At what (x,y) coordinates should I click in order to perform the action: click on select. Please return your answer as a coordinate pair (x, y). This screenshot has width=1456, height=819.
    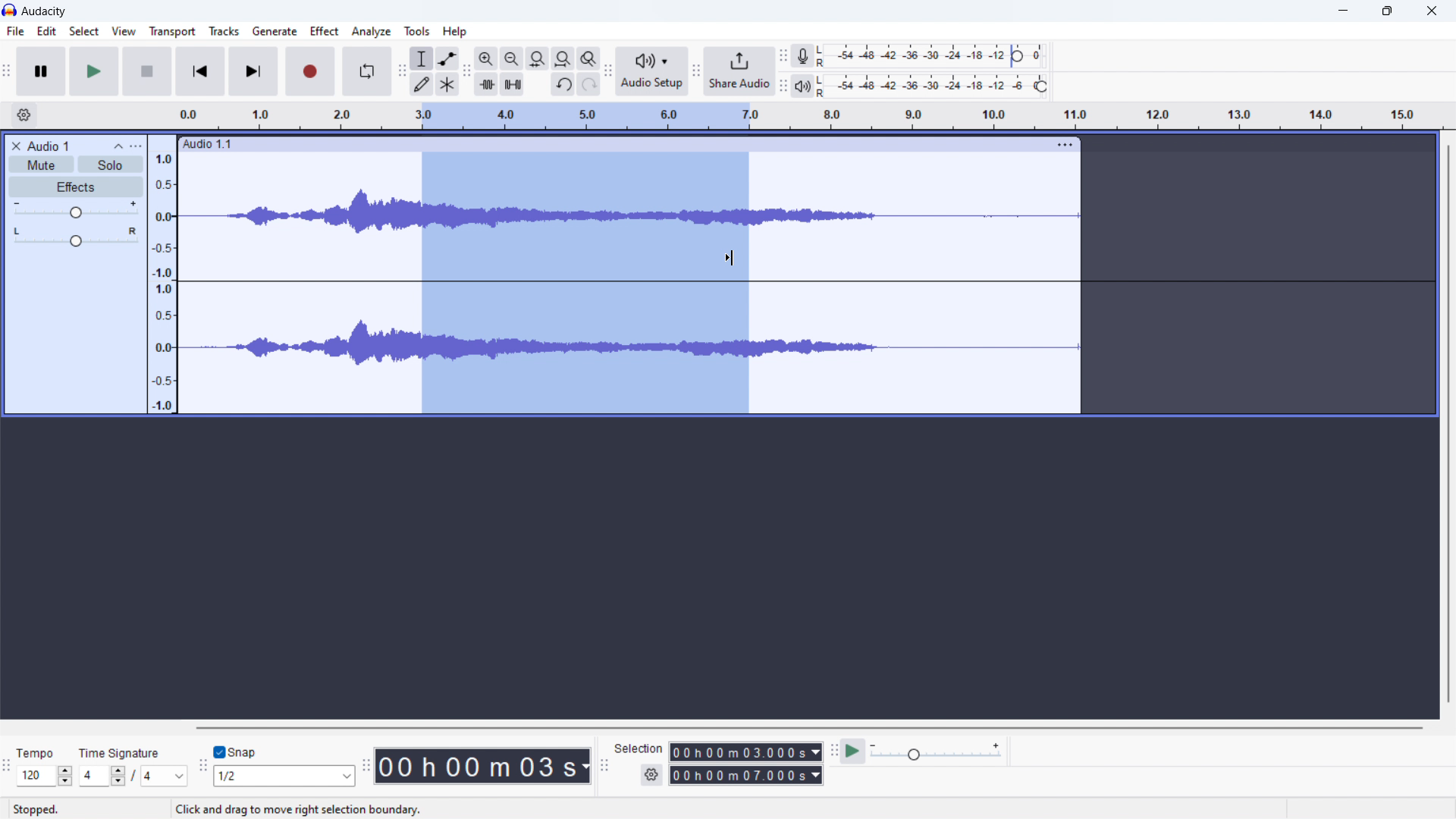
    Looking at the image, I should click on (83, 31).